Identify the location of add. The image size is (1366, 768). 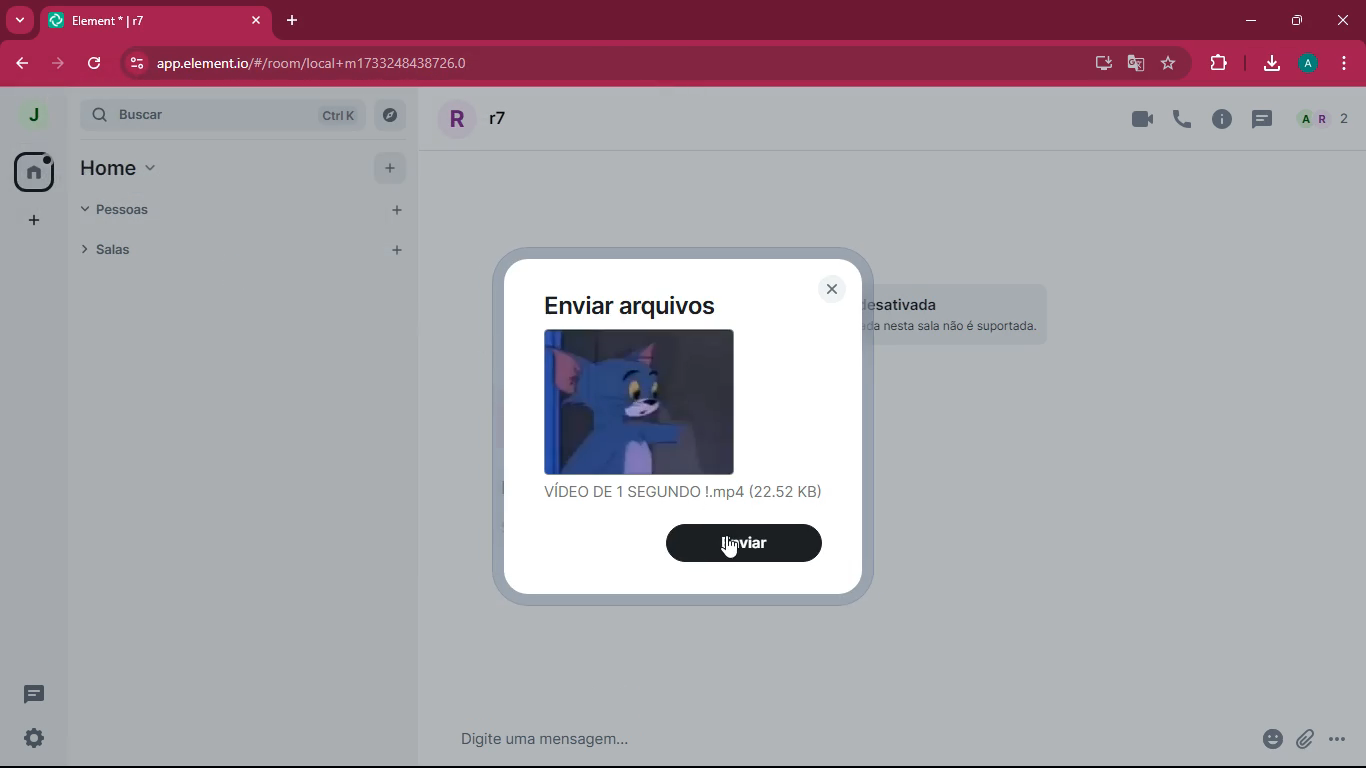
(389, 167).